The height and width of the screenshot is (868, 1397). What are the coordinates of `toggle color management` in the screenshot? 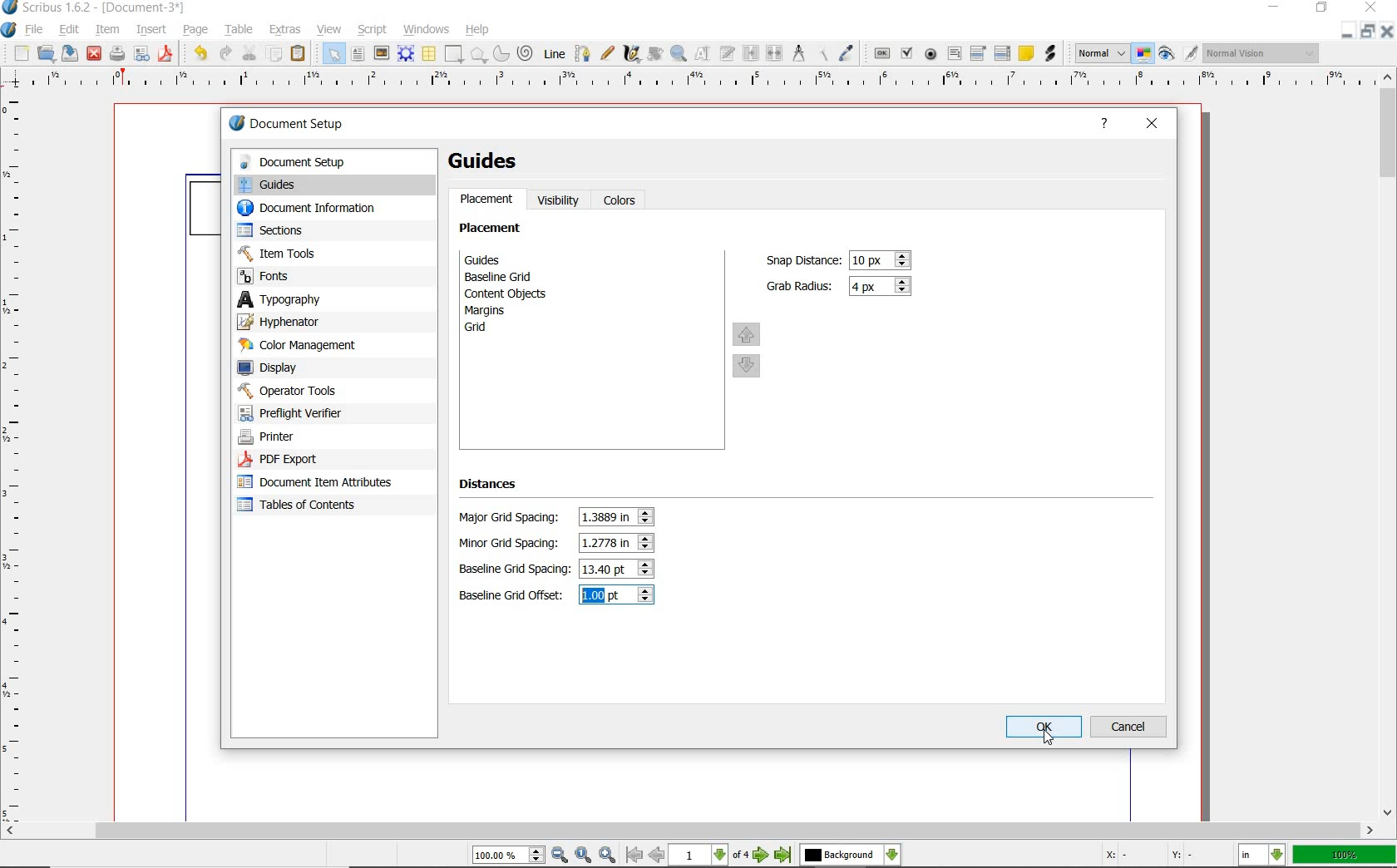 It's located at (1143, 54).